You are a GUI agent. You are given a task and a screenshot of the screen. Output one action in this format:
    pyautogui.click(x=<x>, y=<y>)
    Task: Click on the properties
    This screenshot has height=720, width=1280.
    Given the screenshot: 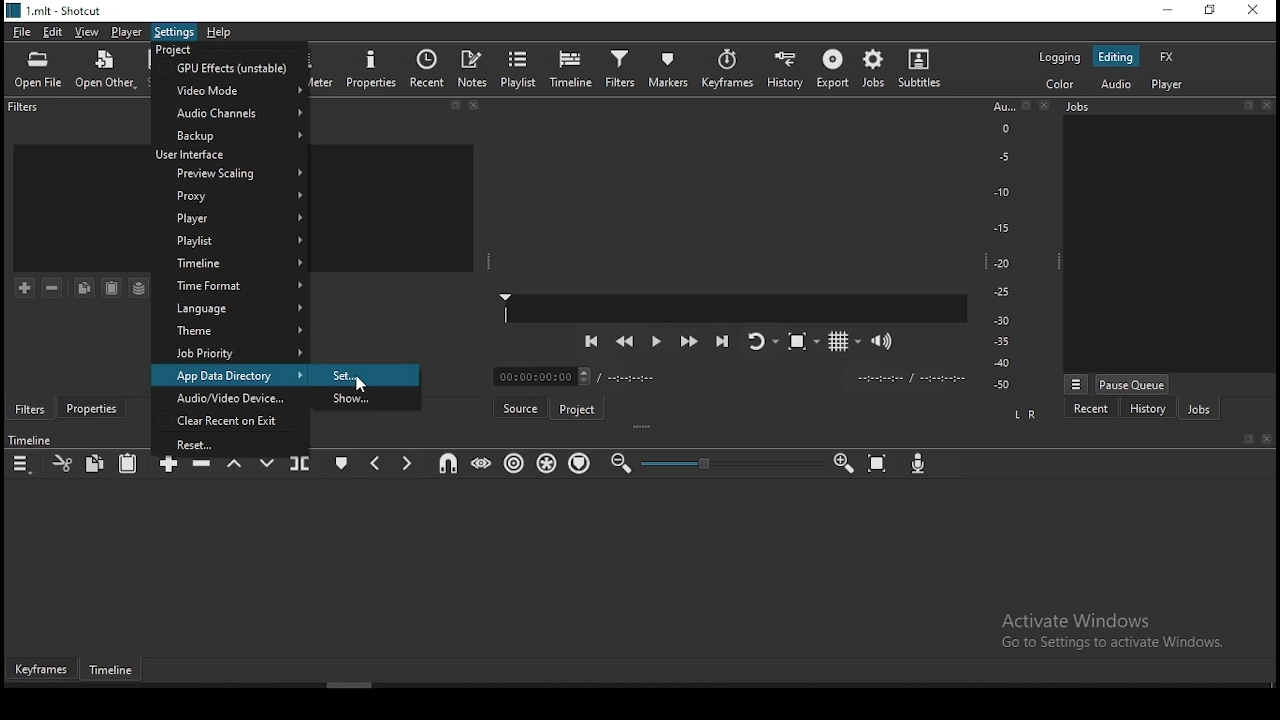 What is the action you would take?
    pyautogui.click(x=372, y=67)
    